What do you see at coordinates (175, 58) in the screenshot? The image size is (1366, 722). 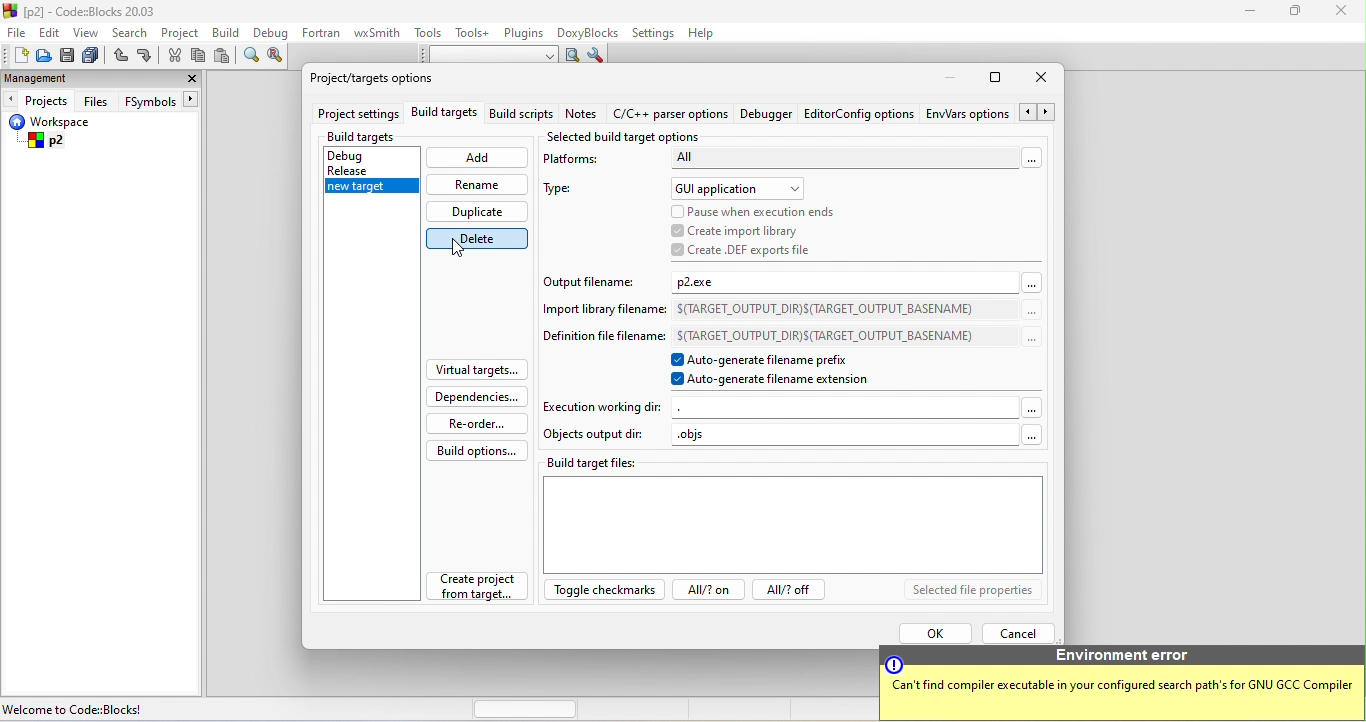 I see `cut` at bounding box center [175, 58].